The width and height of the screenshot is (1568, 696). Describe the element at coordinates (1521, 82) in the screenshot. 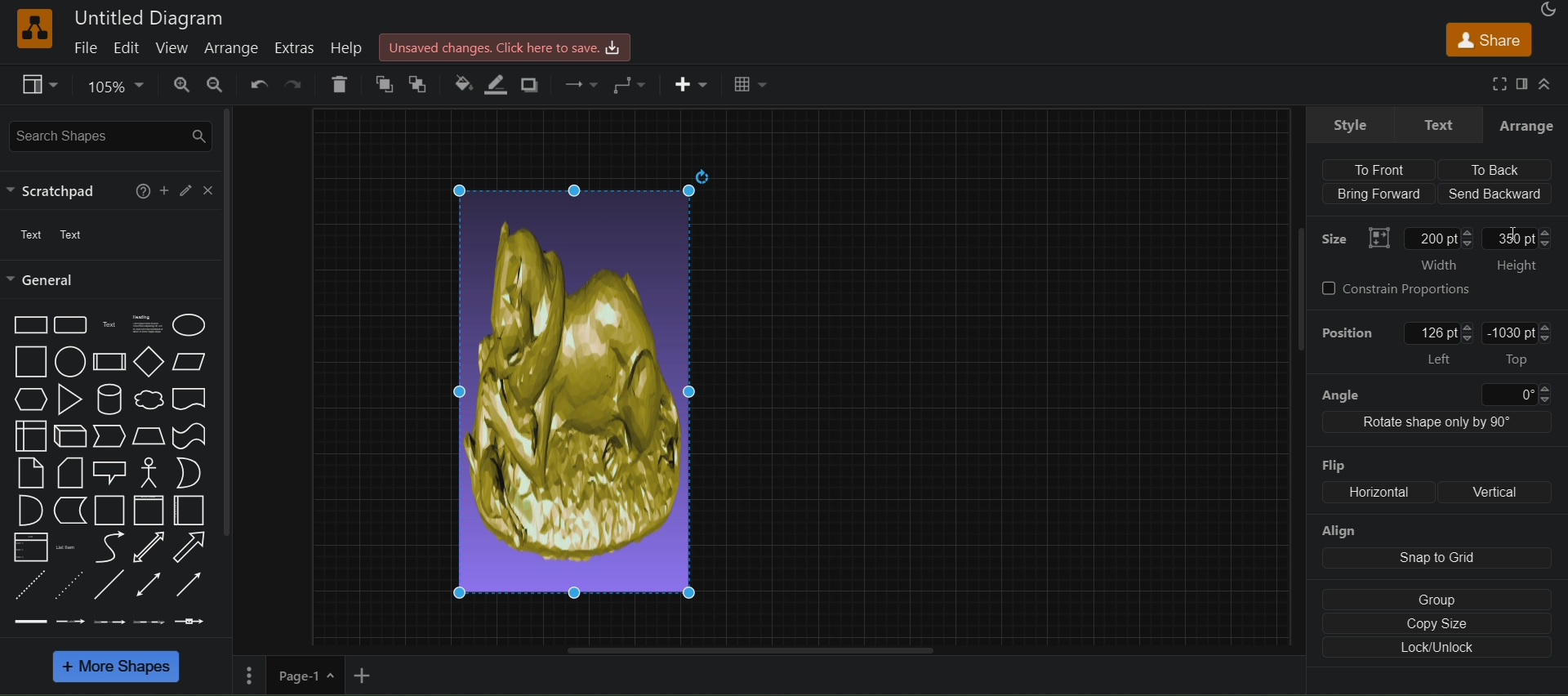

I see `format` at that location.